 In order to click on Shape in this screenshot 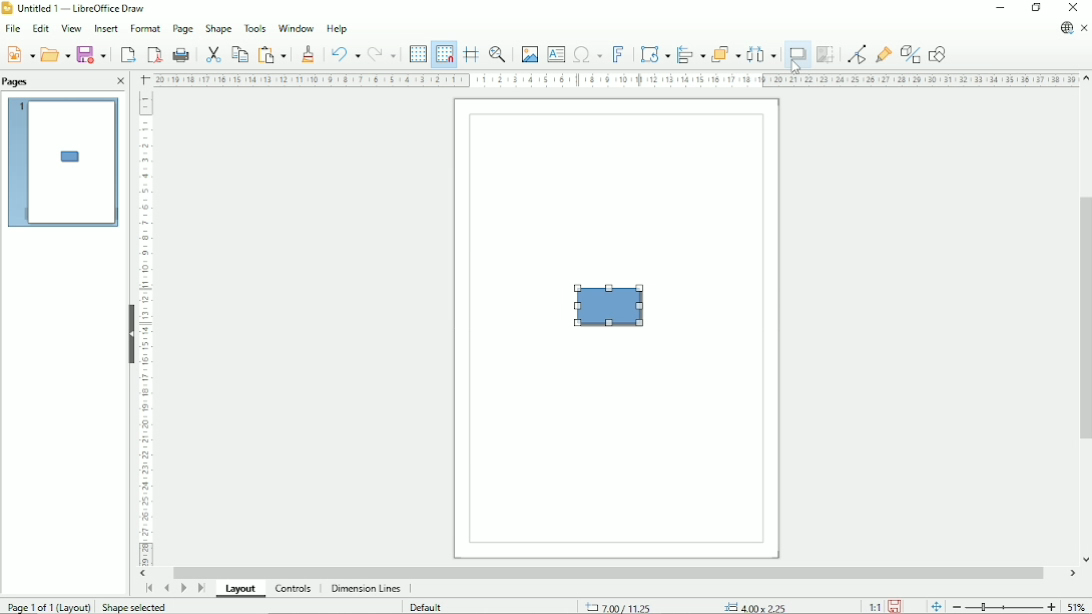, I will do `click(220, 28)`.